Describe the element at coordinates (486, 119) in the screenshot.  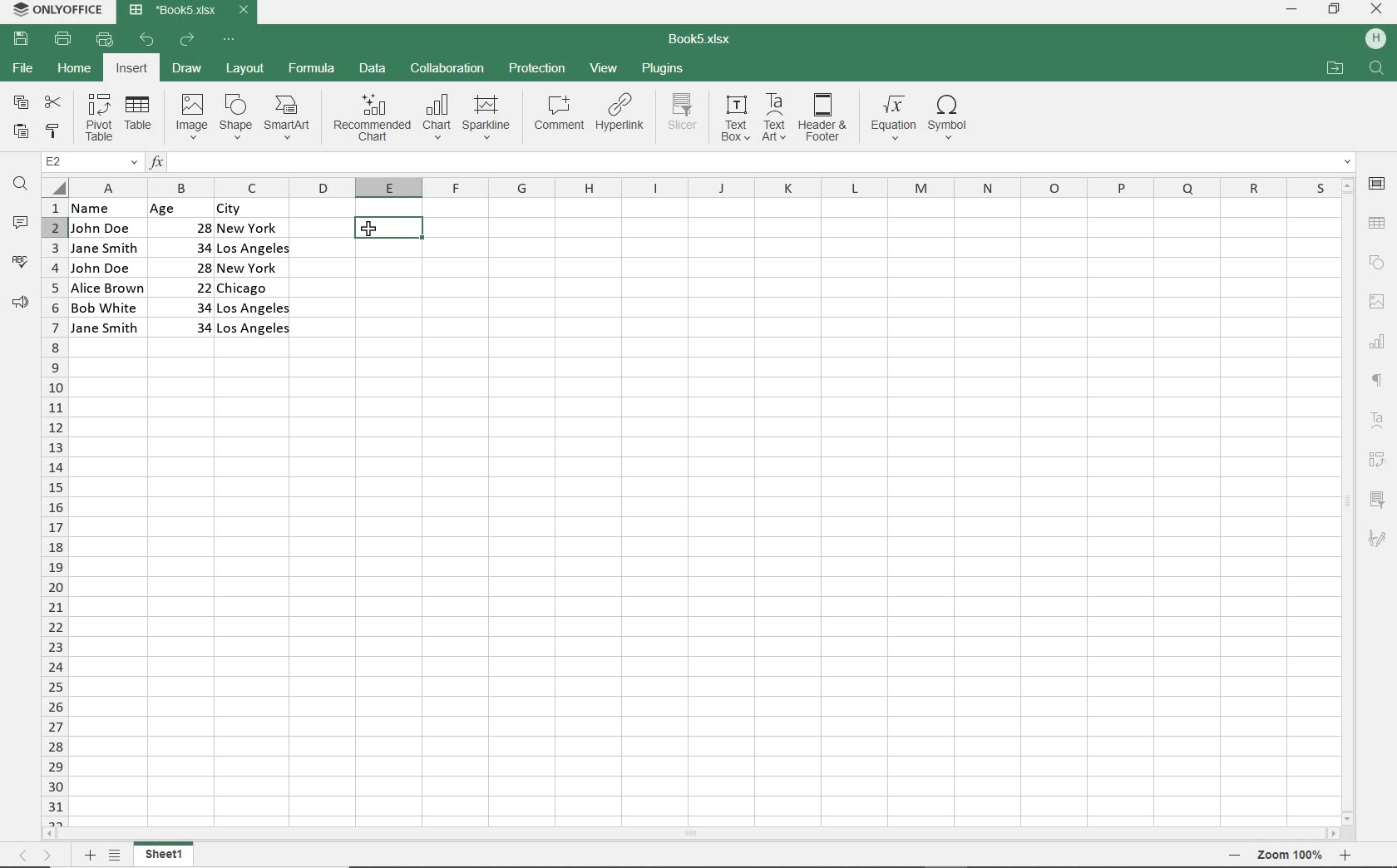
I see `SPARKLINE` at that location.